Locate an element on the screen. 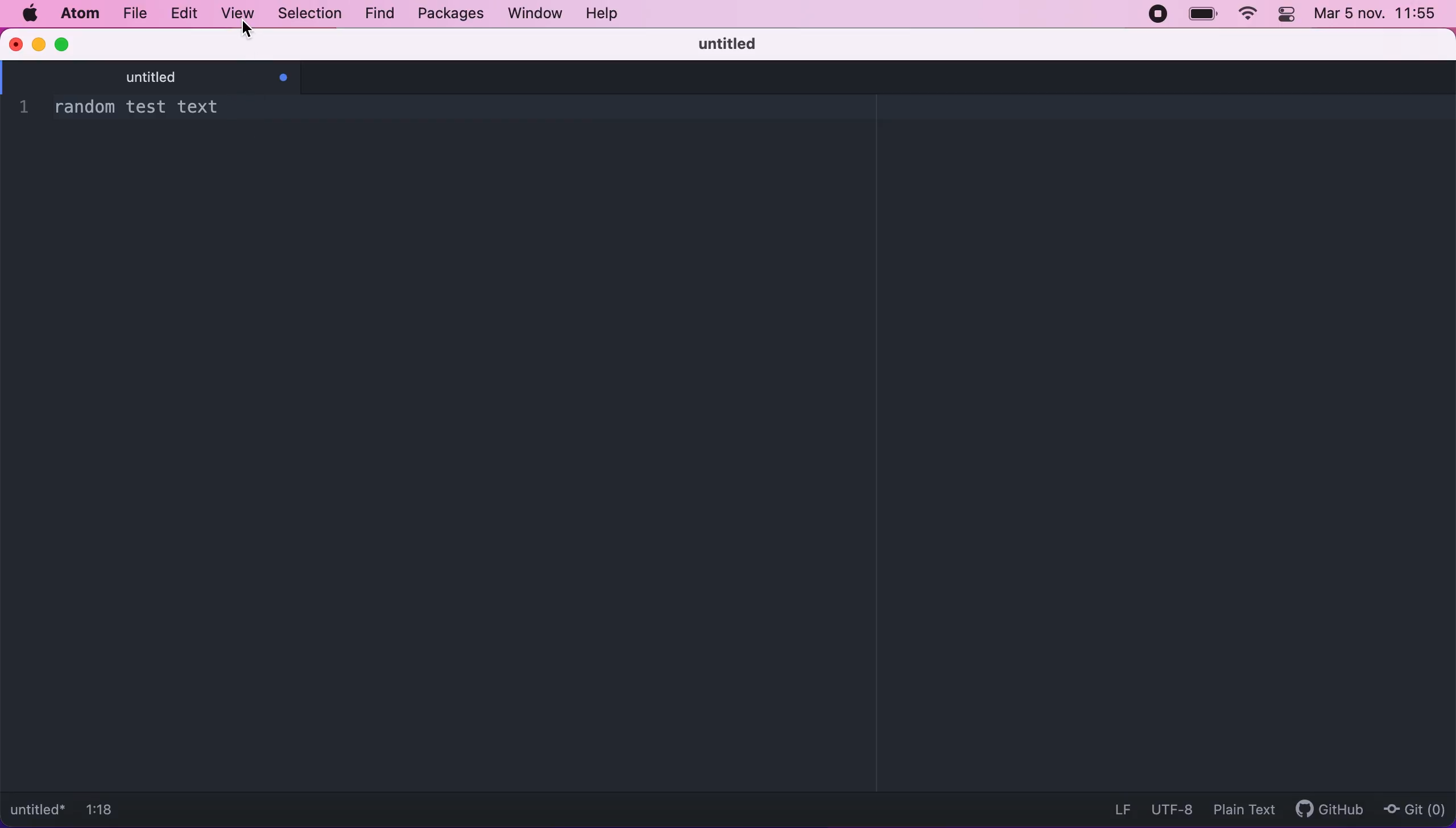 This screenshot has width=1456, height=828. selection is located at coordinates (313, 14).